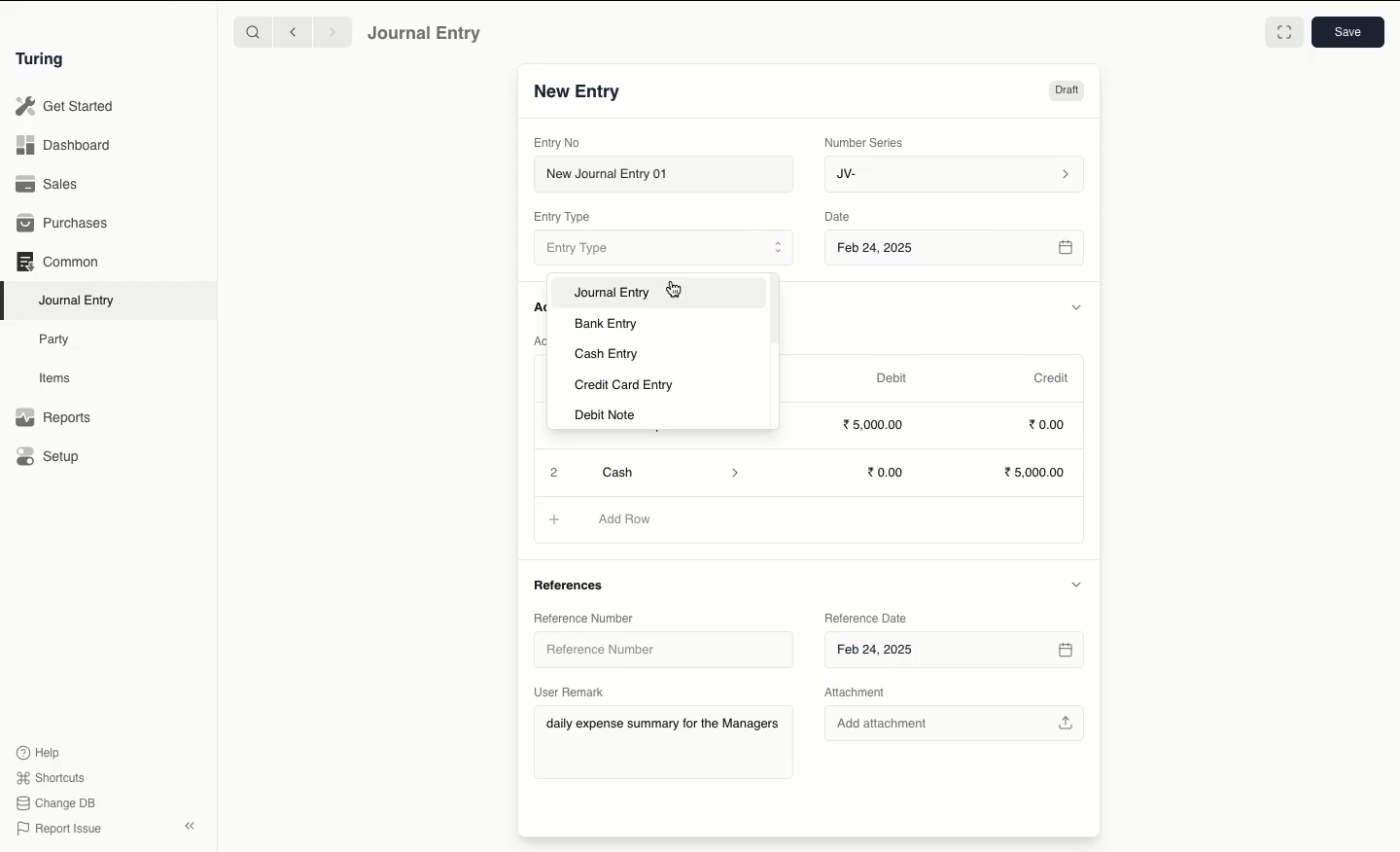  What do you see at coordinates (59, 262) in the screenshot?
I see `Common` at bounding box center [59, 262].